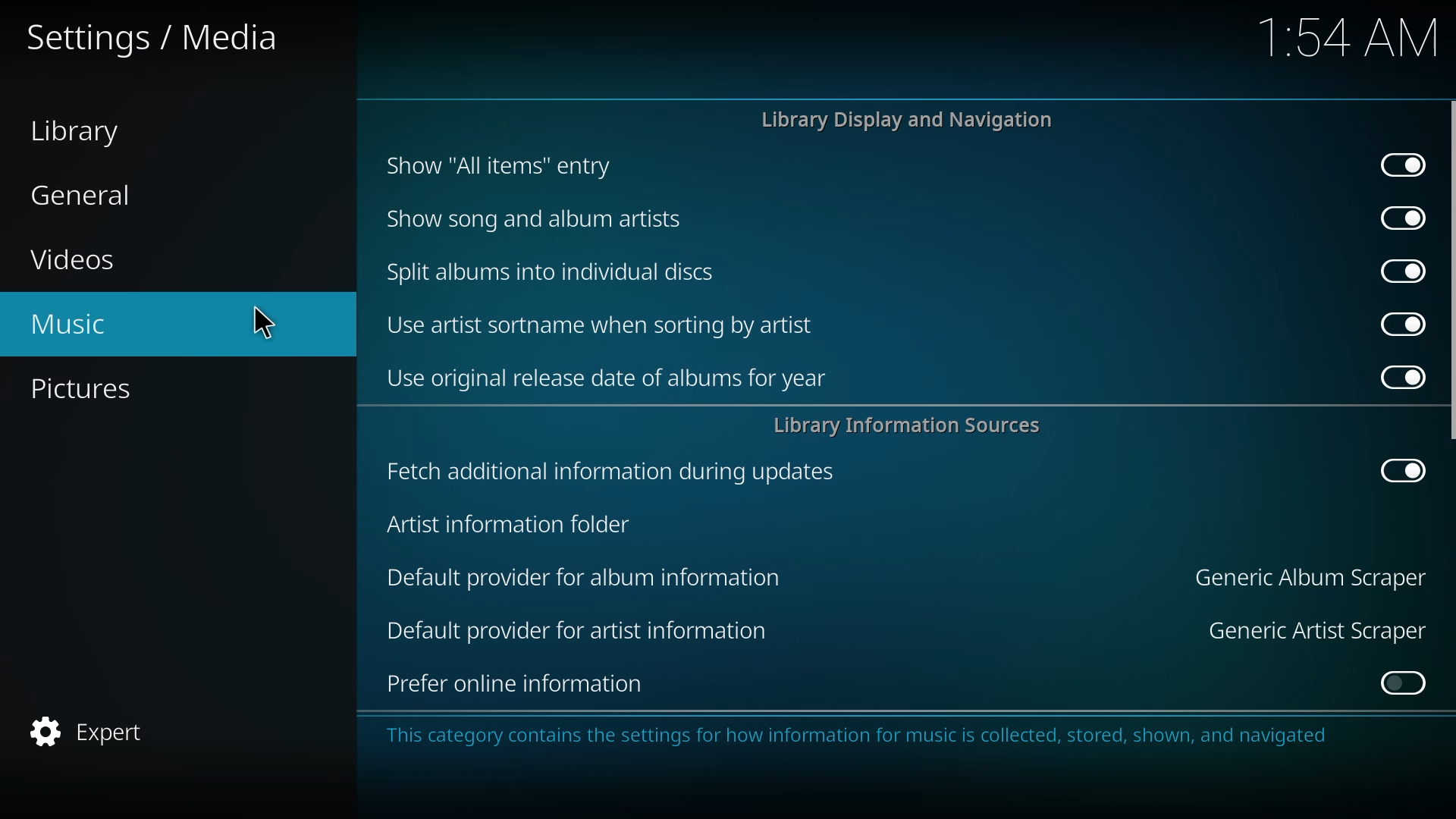 This screenshot has height=819, width=1456. Describe the element at coordinates (1393, 378) in the screenshot. I see `enabled` at that location.